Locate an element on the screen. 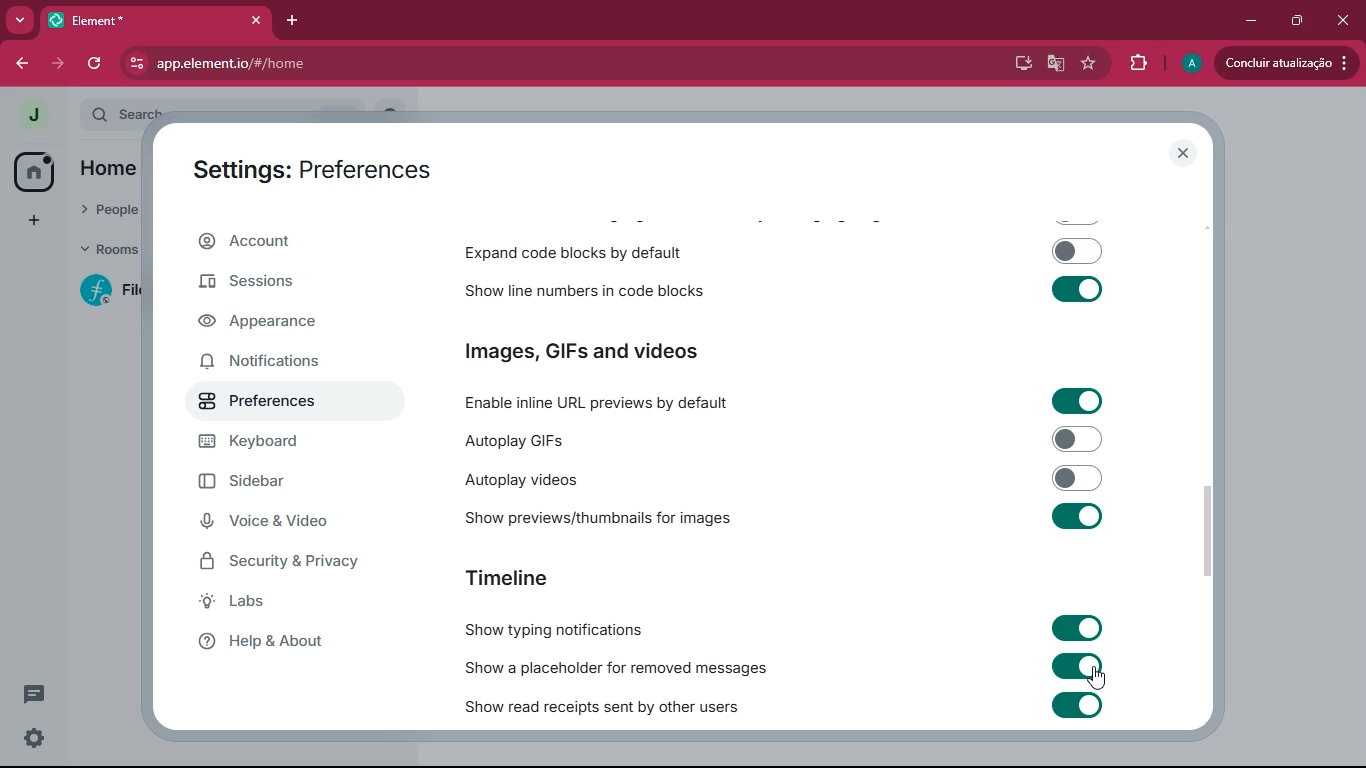 The height and width of the screenshot is (768, 1366). appearance is located at coordinates (275, 323).